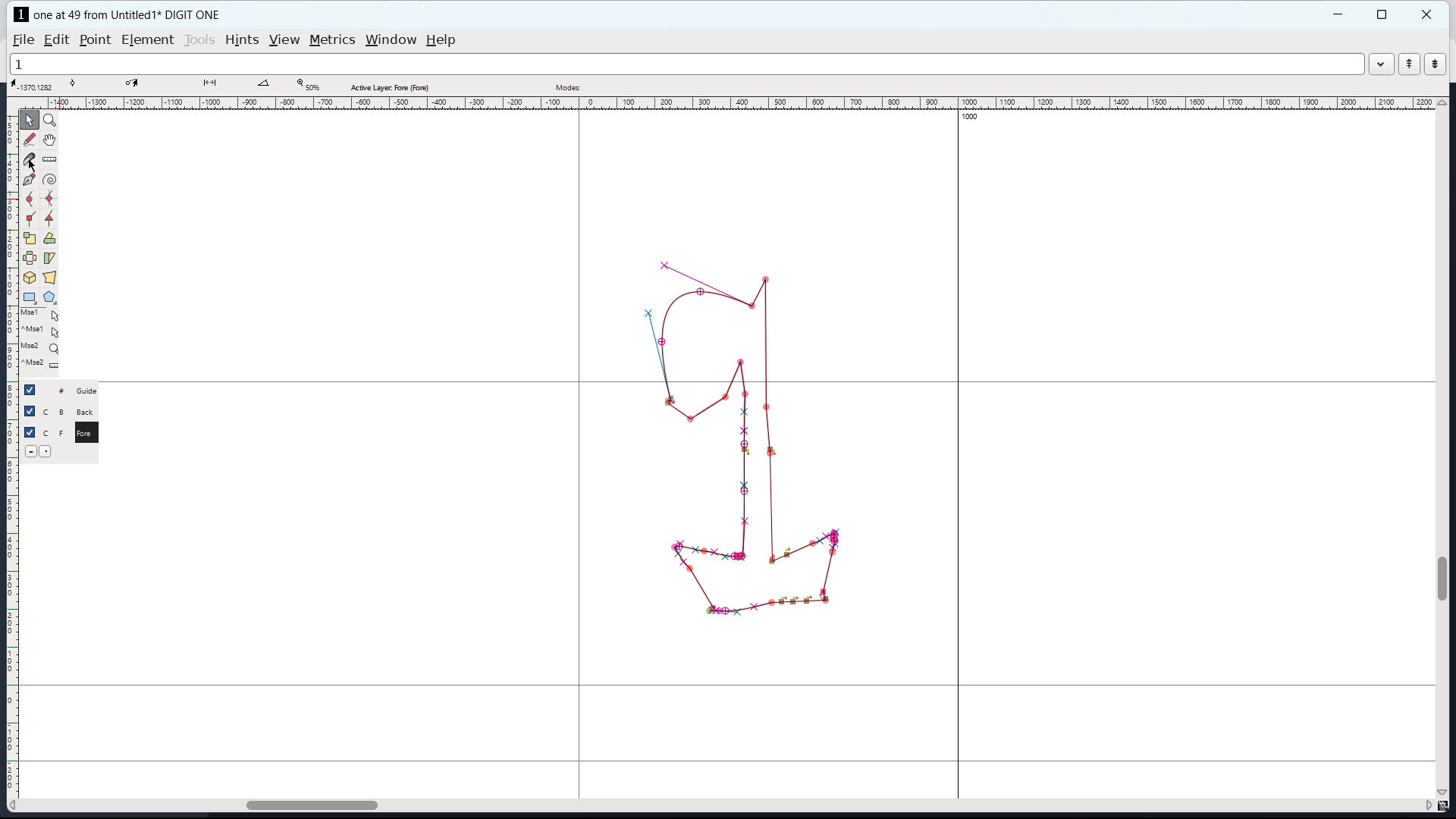  I want to click on edit, so click(56, 40).